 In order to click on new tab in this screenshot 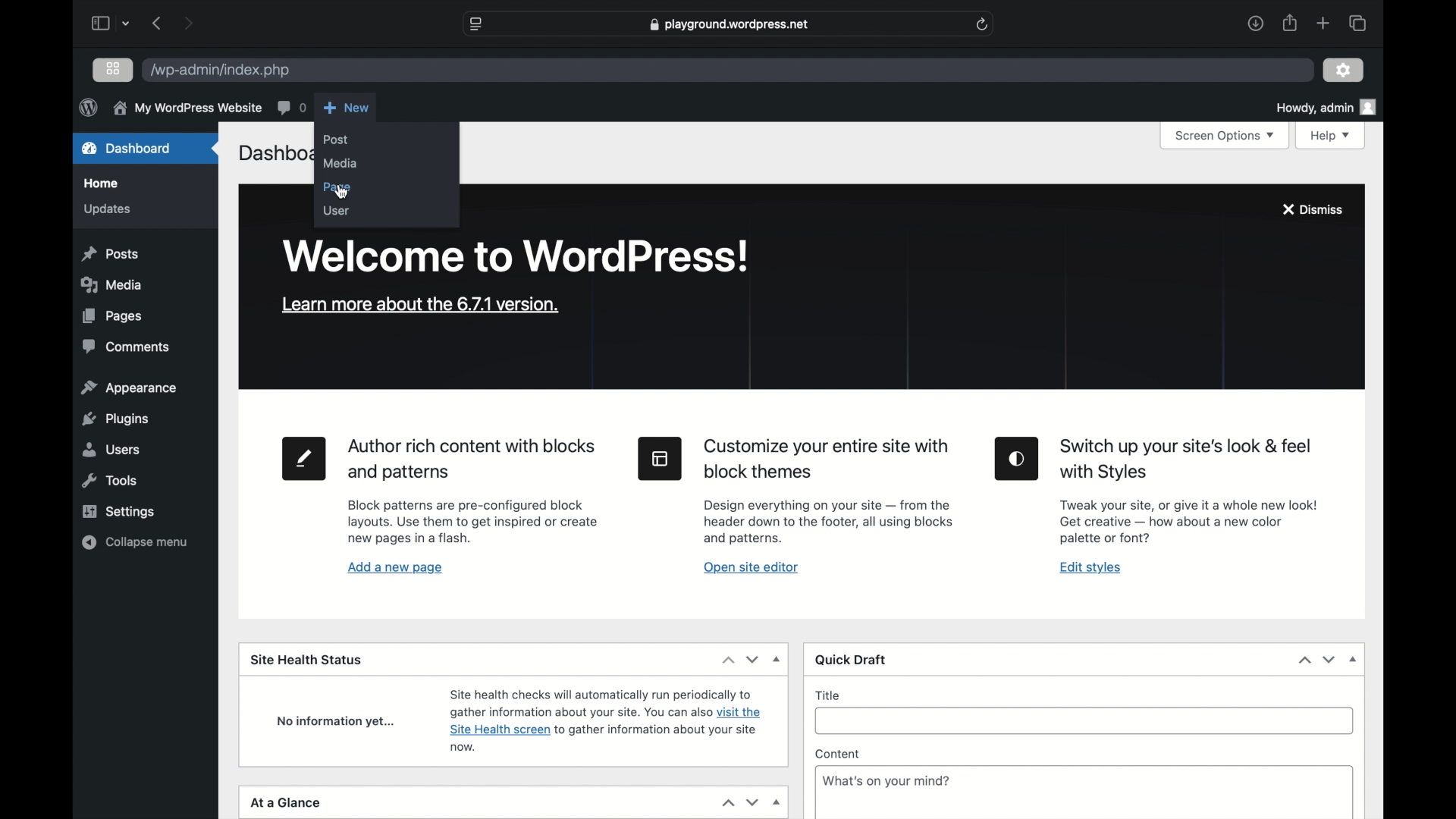, I will do `click(1323, 23)`.